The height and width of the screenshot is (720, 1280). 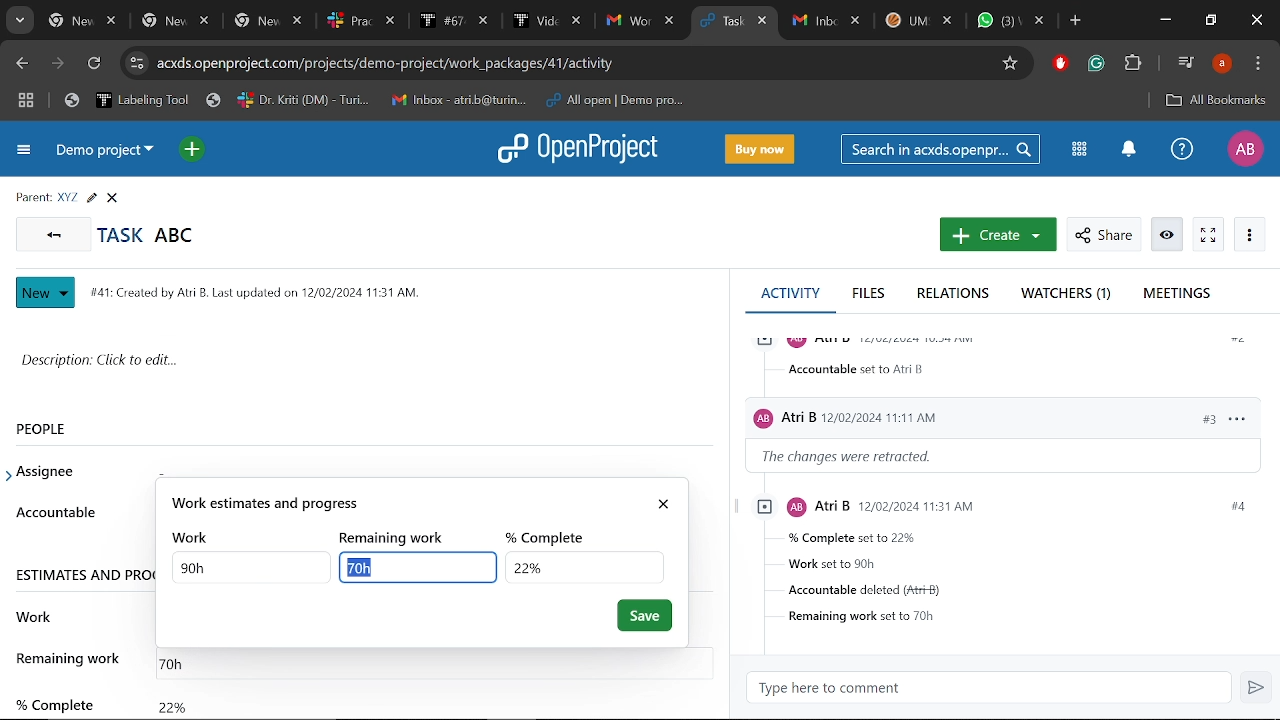 I want to click on Info, so click(x=1168, y=235).